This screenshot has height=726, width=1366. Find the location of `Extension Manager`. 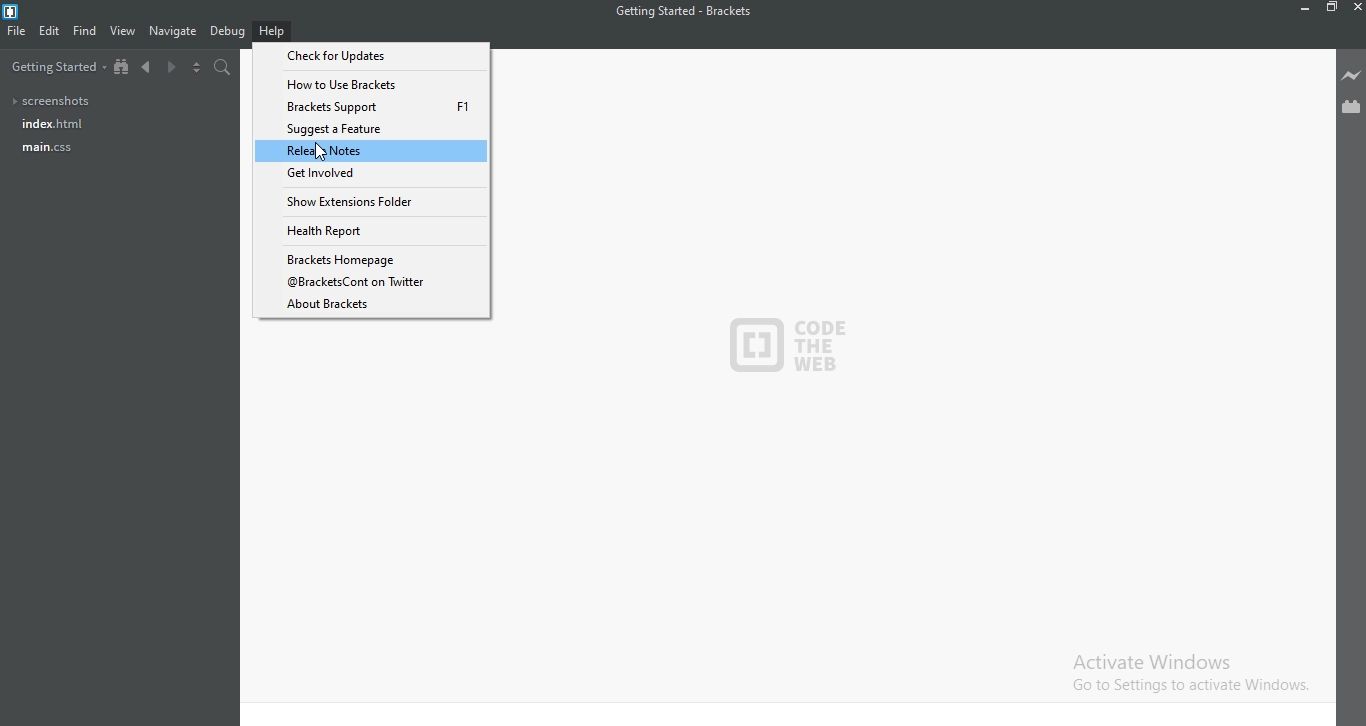

Extension Manager is located at coordinates (1353, 111).